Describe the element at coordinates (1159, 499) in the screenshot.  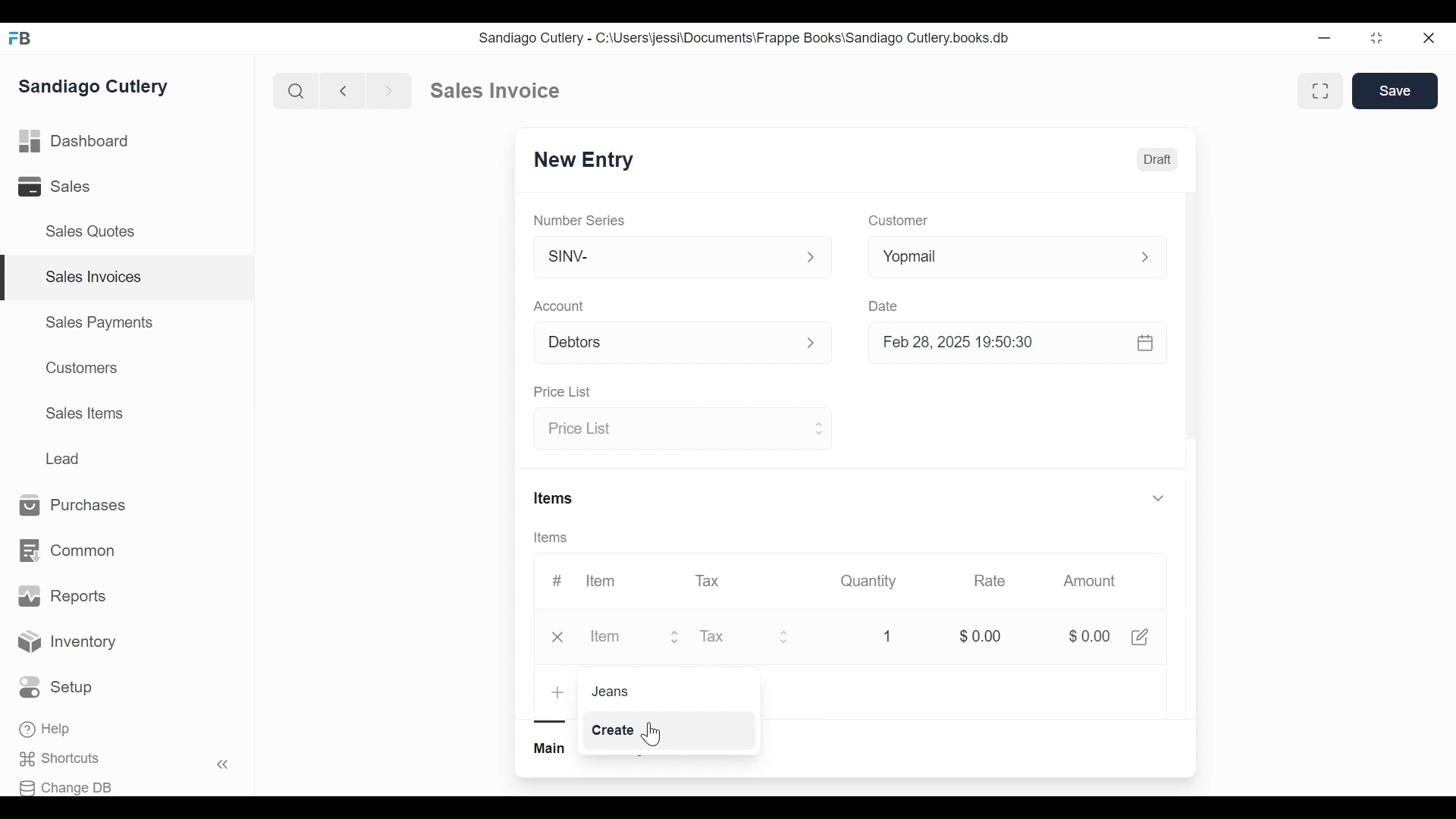
I see `v` at that location.